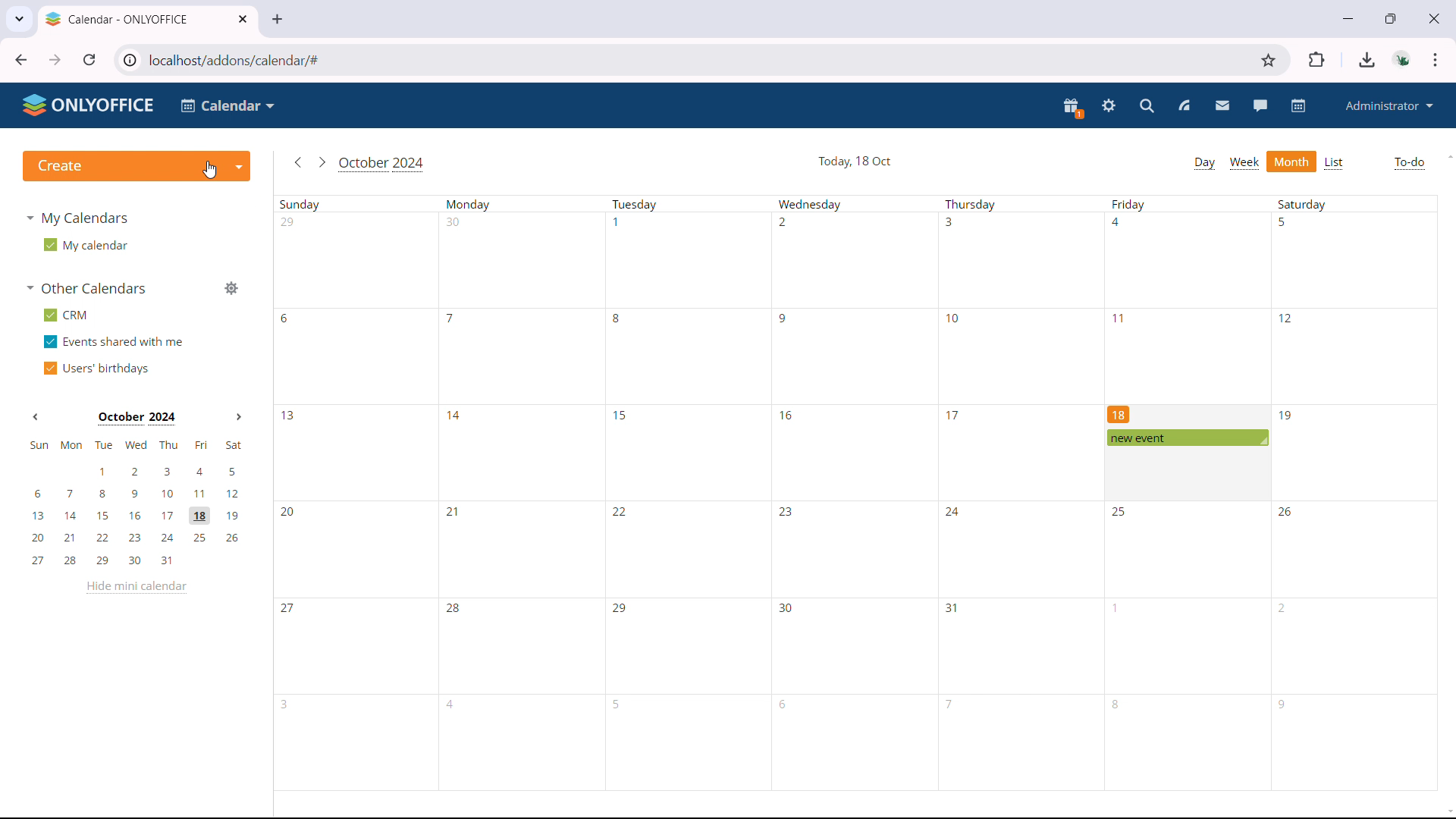  What do you see at coordinates (786, 608) in the screenshot?
I see `30` at bounding box center [786, 608].